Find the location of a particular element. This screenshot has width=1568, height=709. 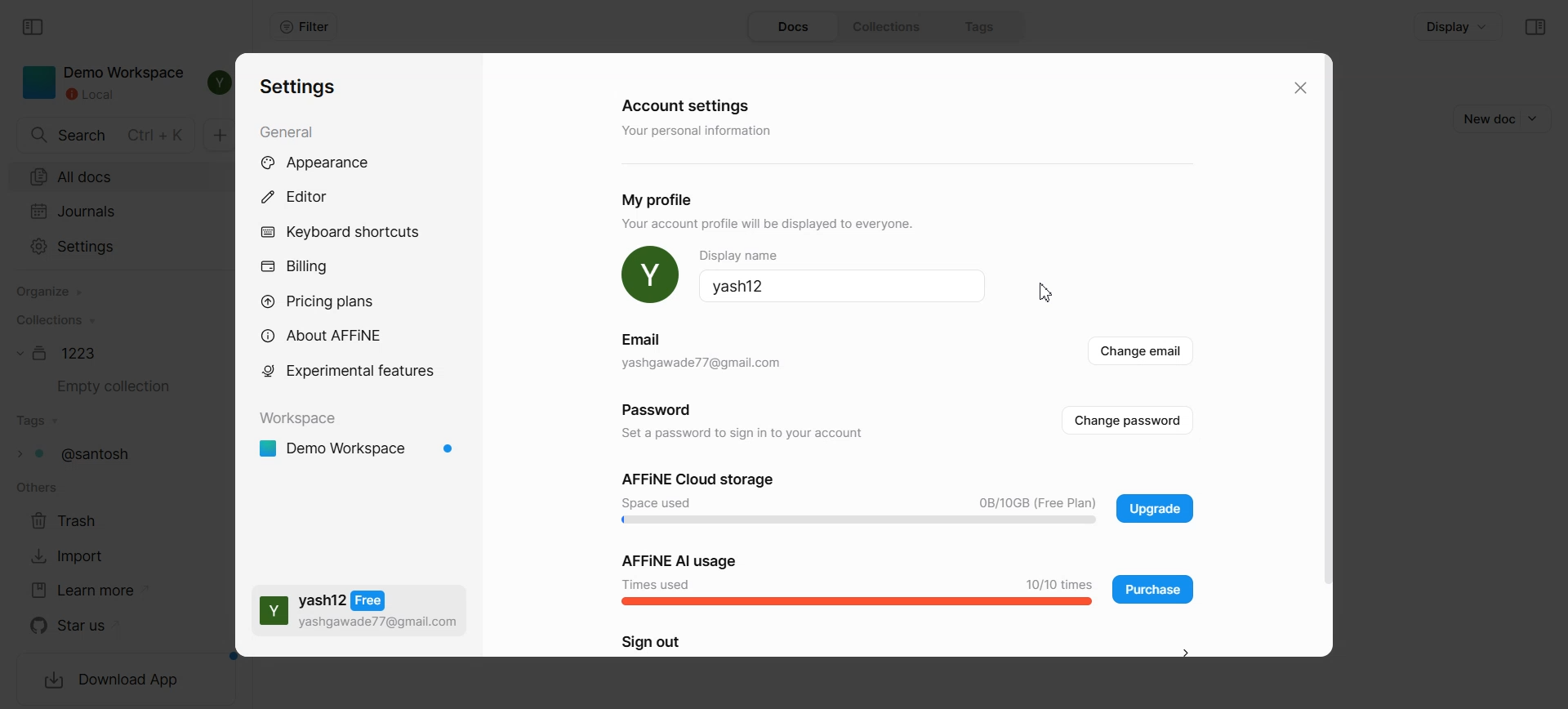

Close is located at coordinates (1298, 88).